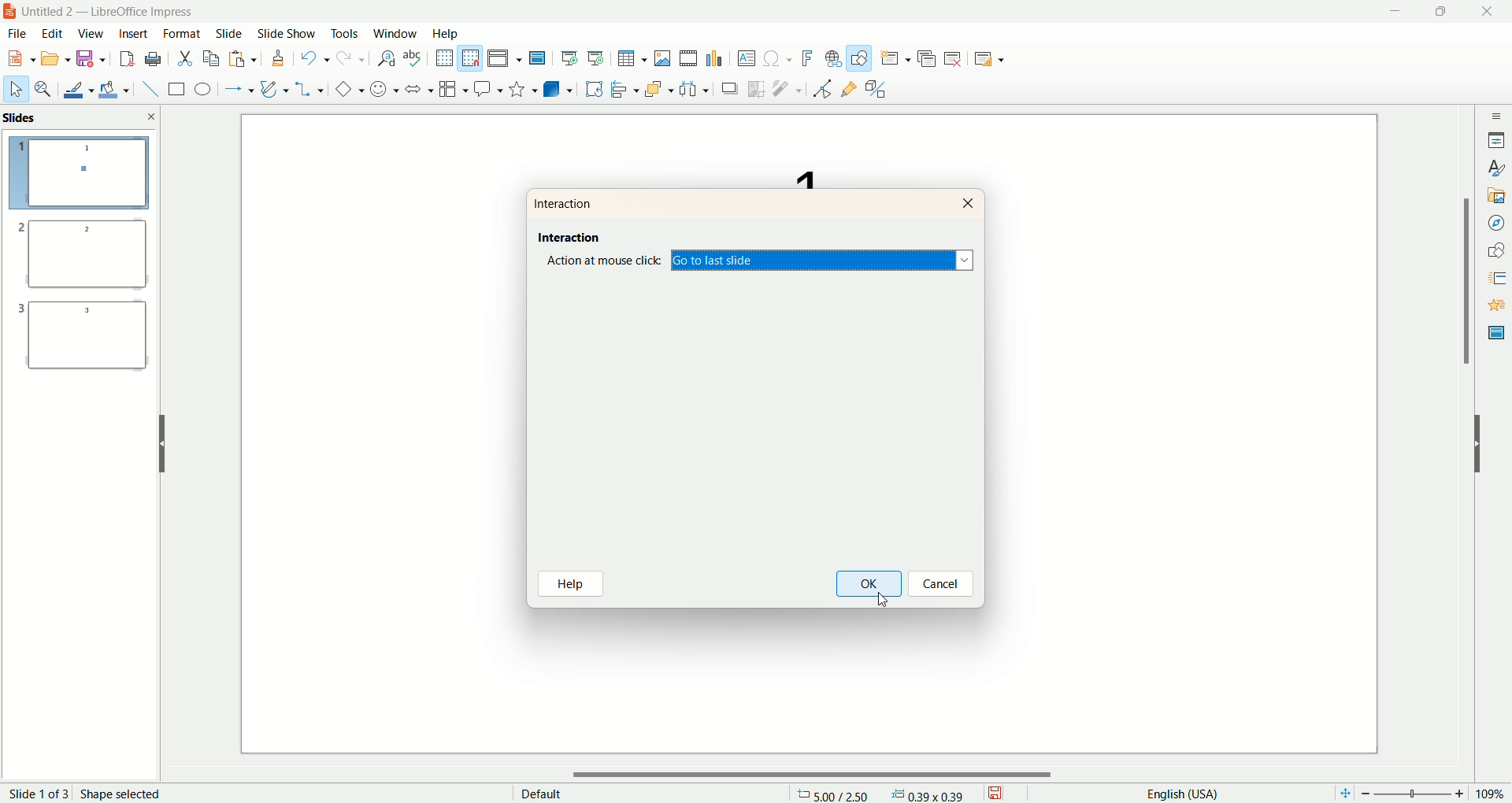 This screenshot has height=803, width=1512. I want to click on callout shapes, so click(486, 90).